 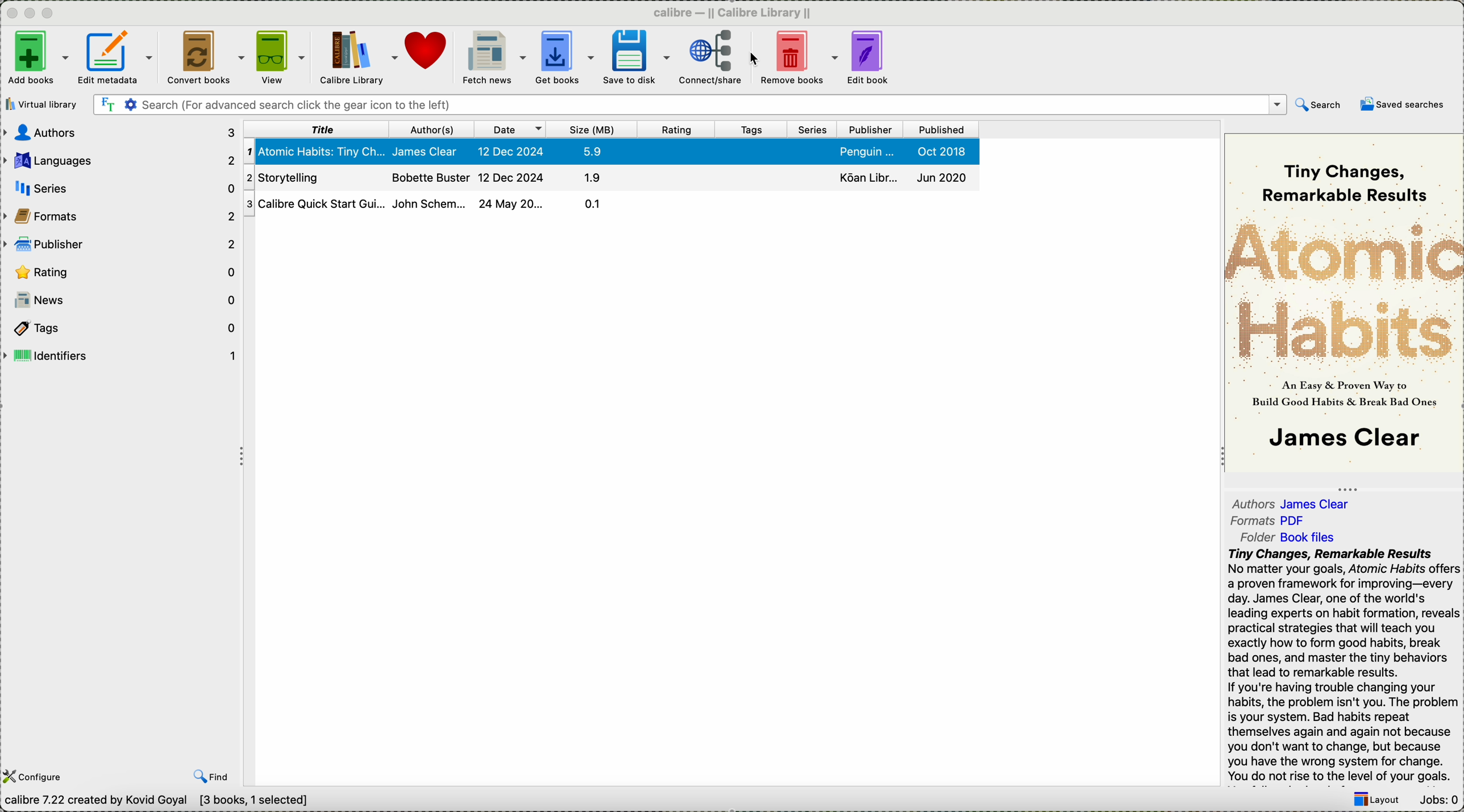 What do you see at coordinates (121, 243) in the screenshot?
I see `publisher` at bounding box center [121, 243].